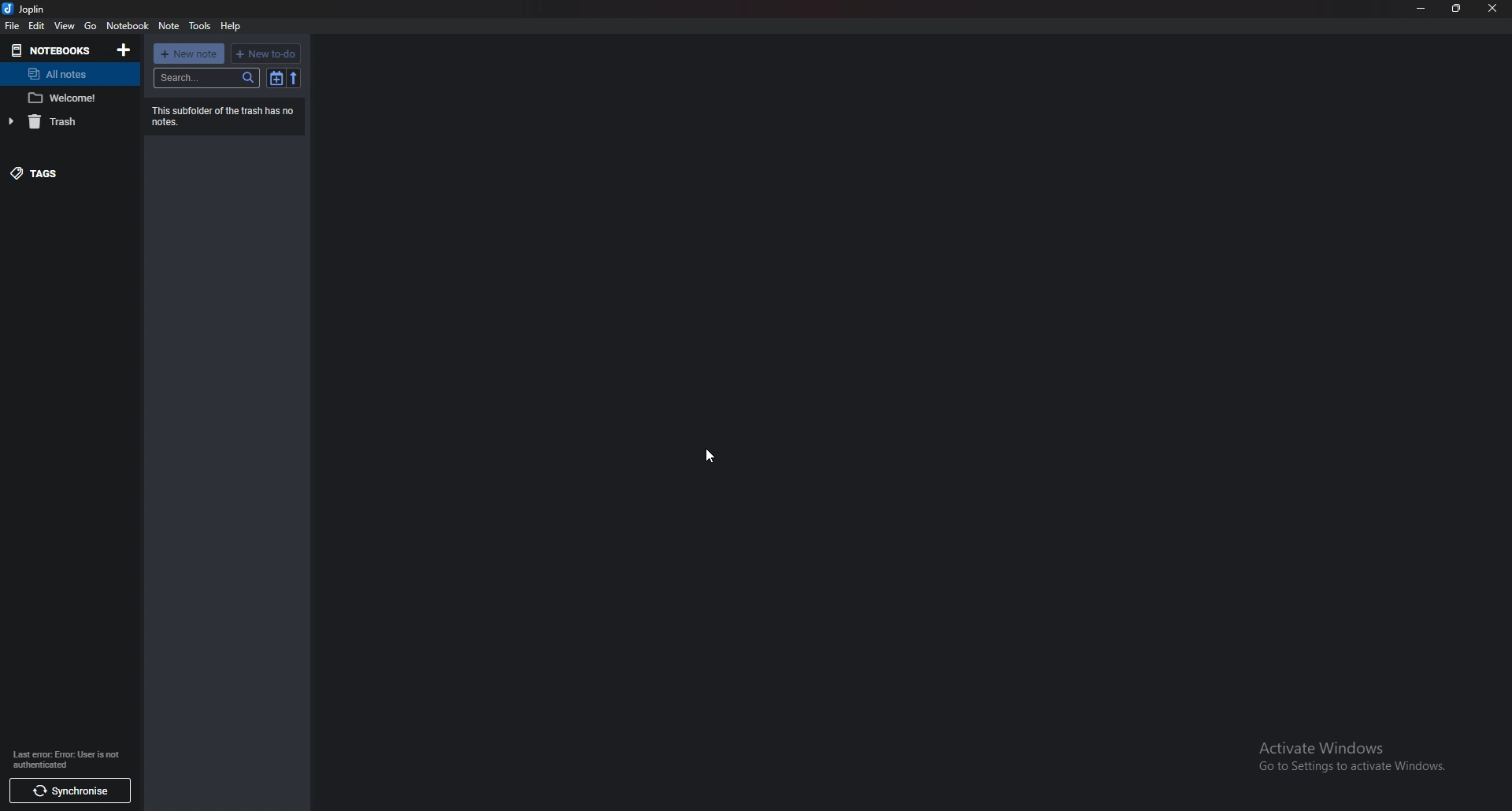 The height and width of the screenshot is (811, 1512). What do you see at coordinates (170, 26) in the screenshot?
I see `Note` at bounding box center [170, 26].